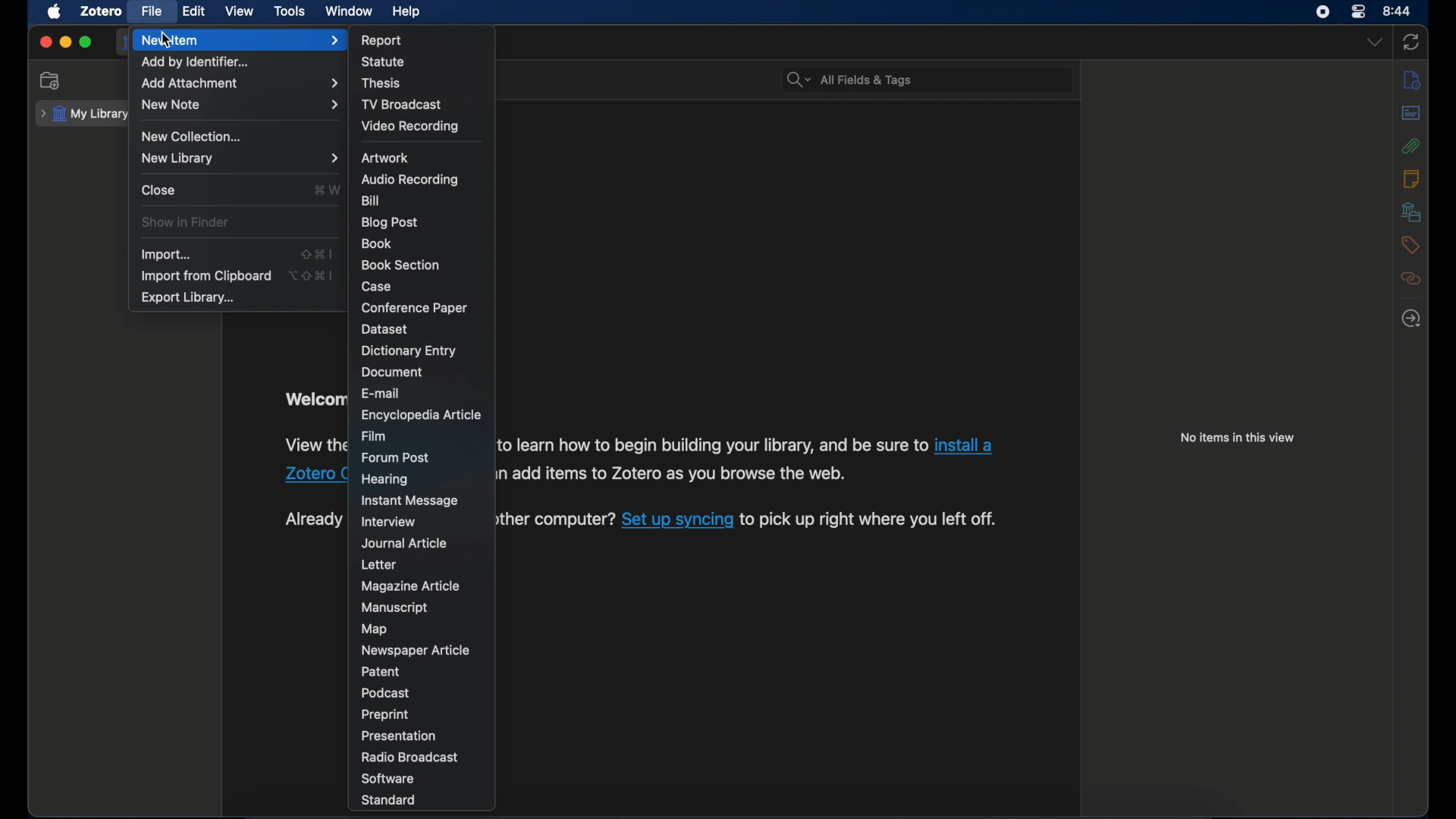 Image resolution: width=1456 pixels, height=819 pixels. I want to click on add attachment, so click(238, 82).